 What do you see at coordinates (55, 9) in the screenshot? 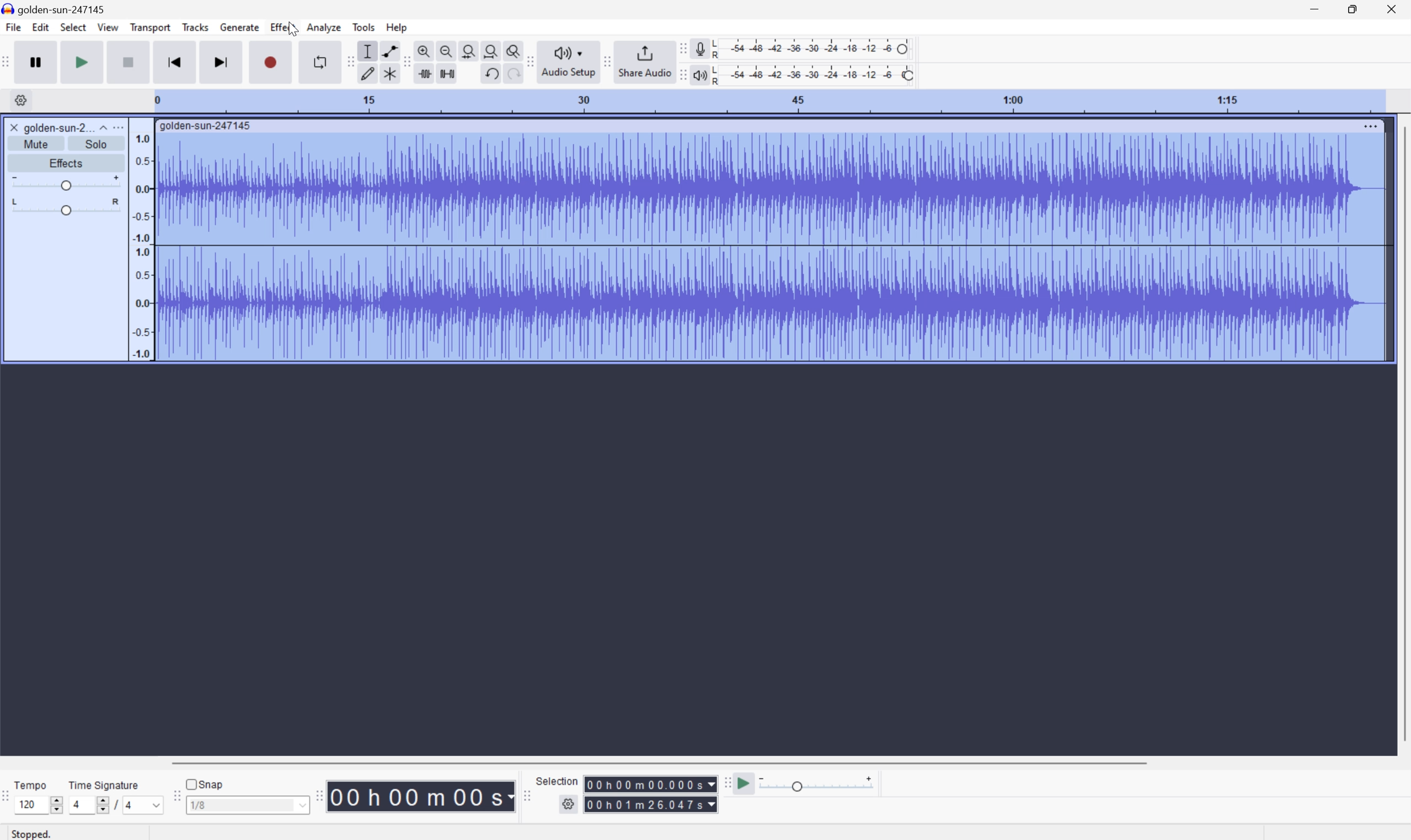
I see `goldensun-247145` at bounding box center [55, 9].